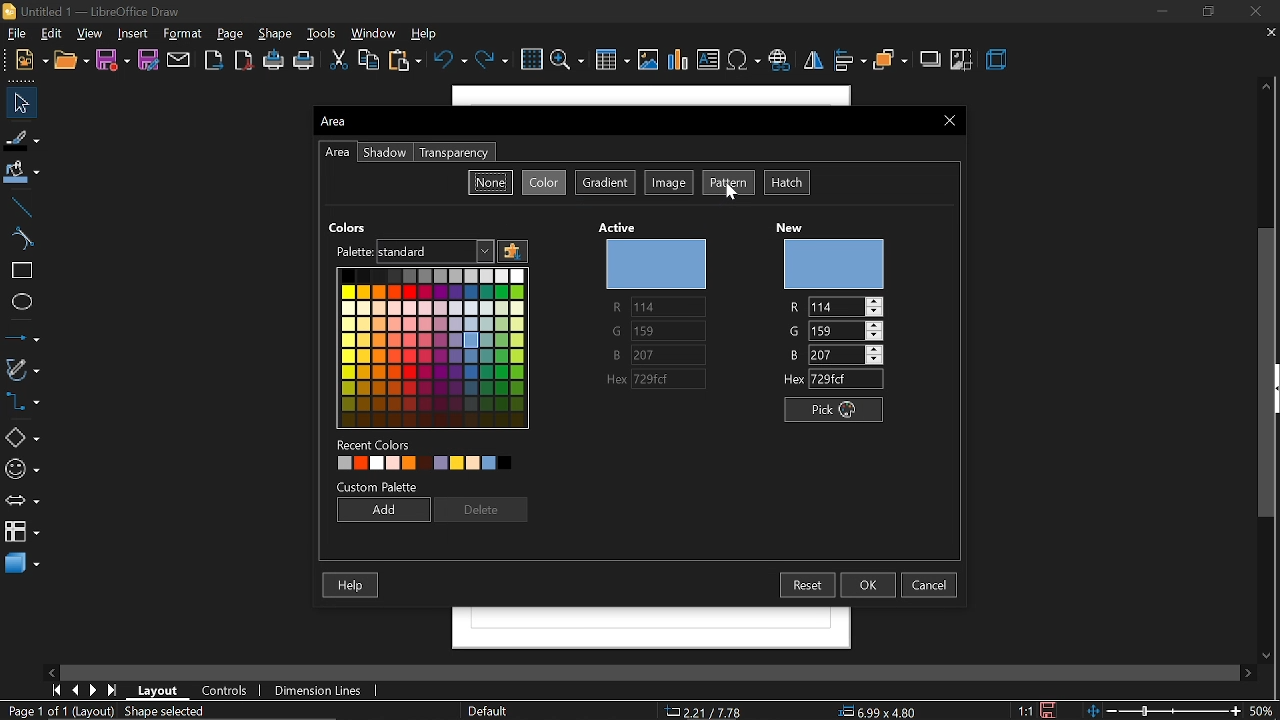 This screenshot has width=1280, height=720. Describe the element at coordinates (484, 251) in the screenshot. I see `Dropdown` at that location.